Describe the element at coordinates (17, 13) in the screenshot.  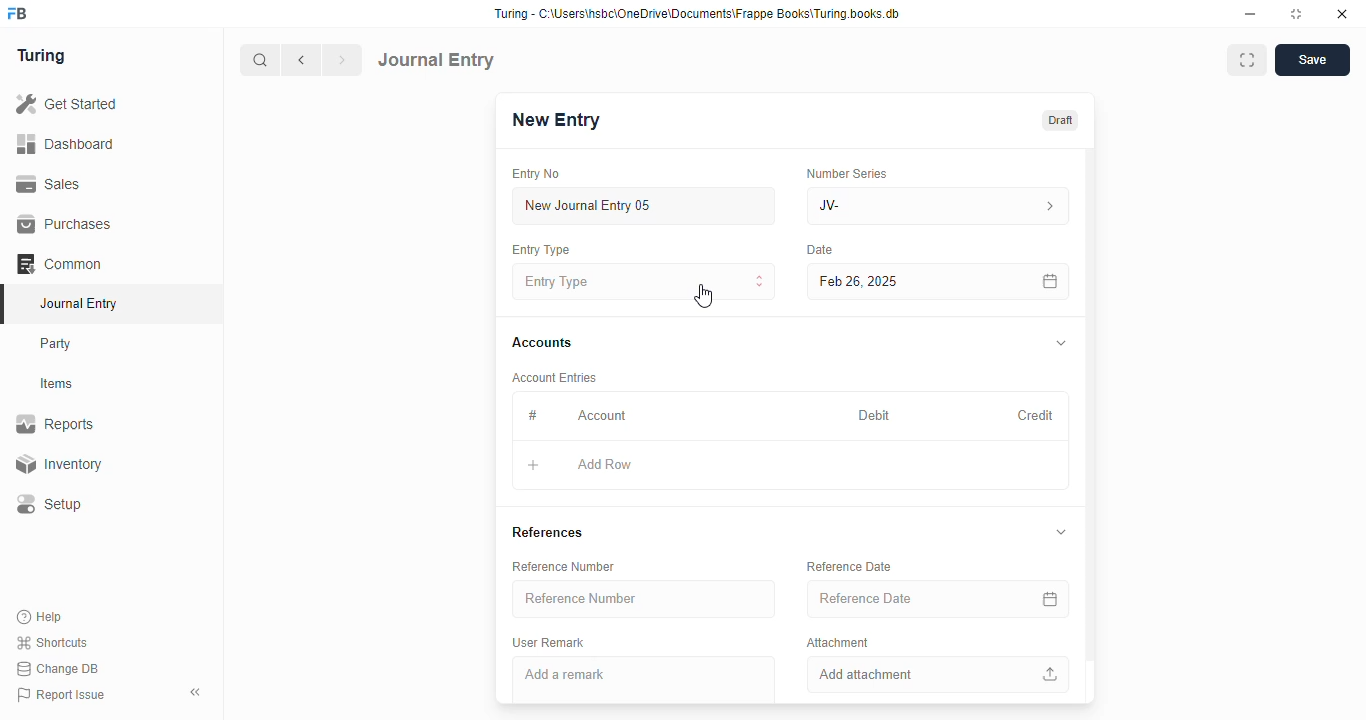
I see `FB - logo` at that location.